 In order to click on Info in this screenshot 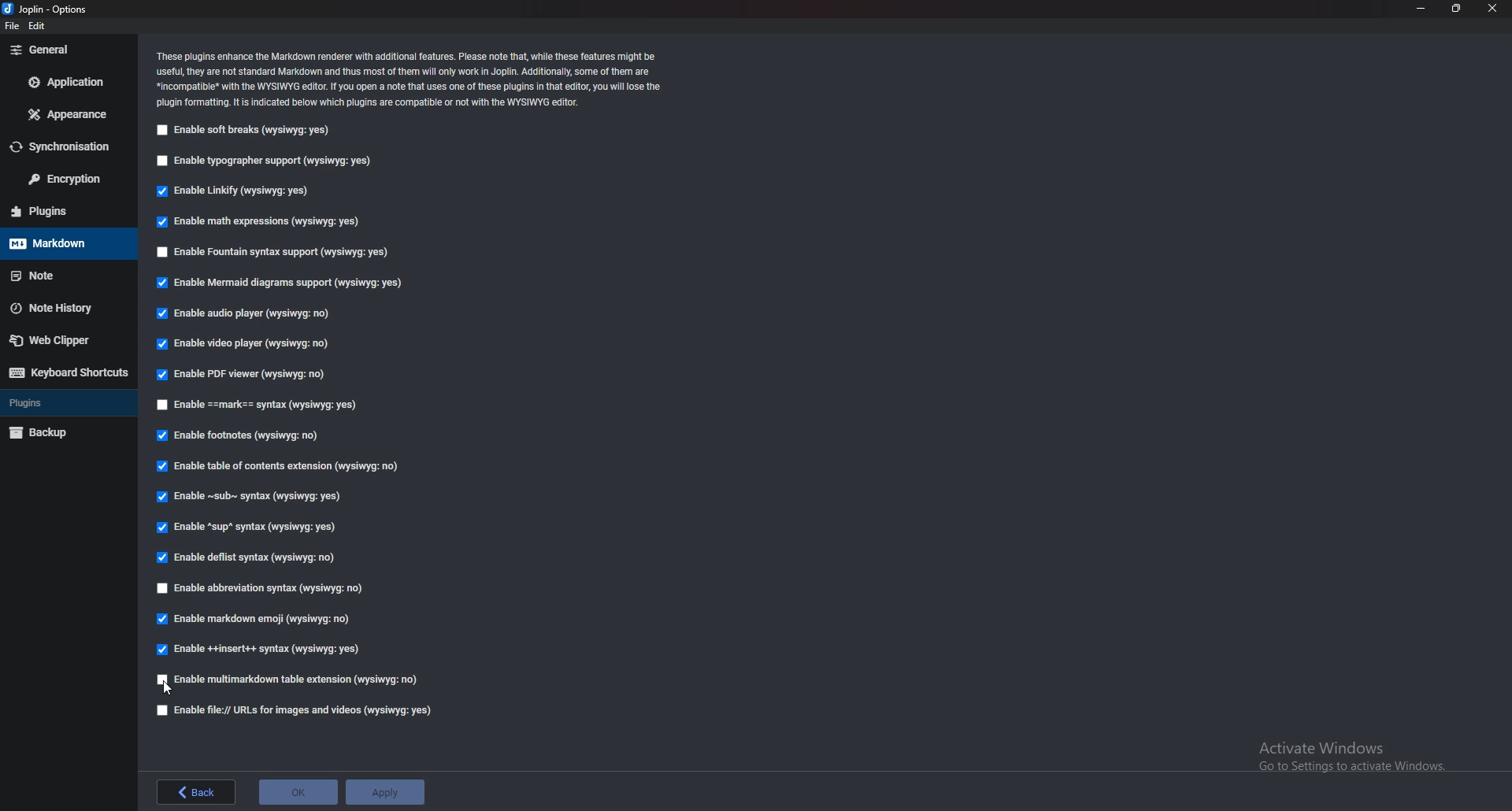, I will do `click(411, 78)`.